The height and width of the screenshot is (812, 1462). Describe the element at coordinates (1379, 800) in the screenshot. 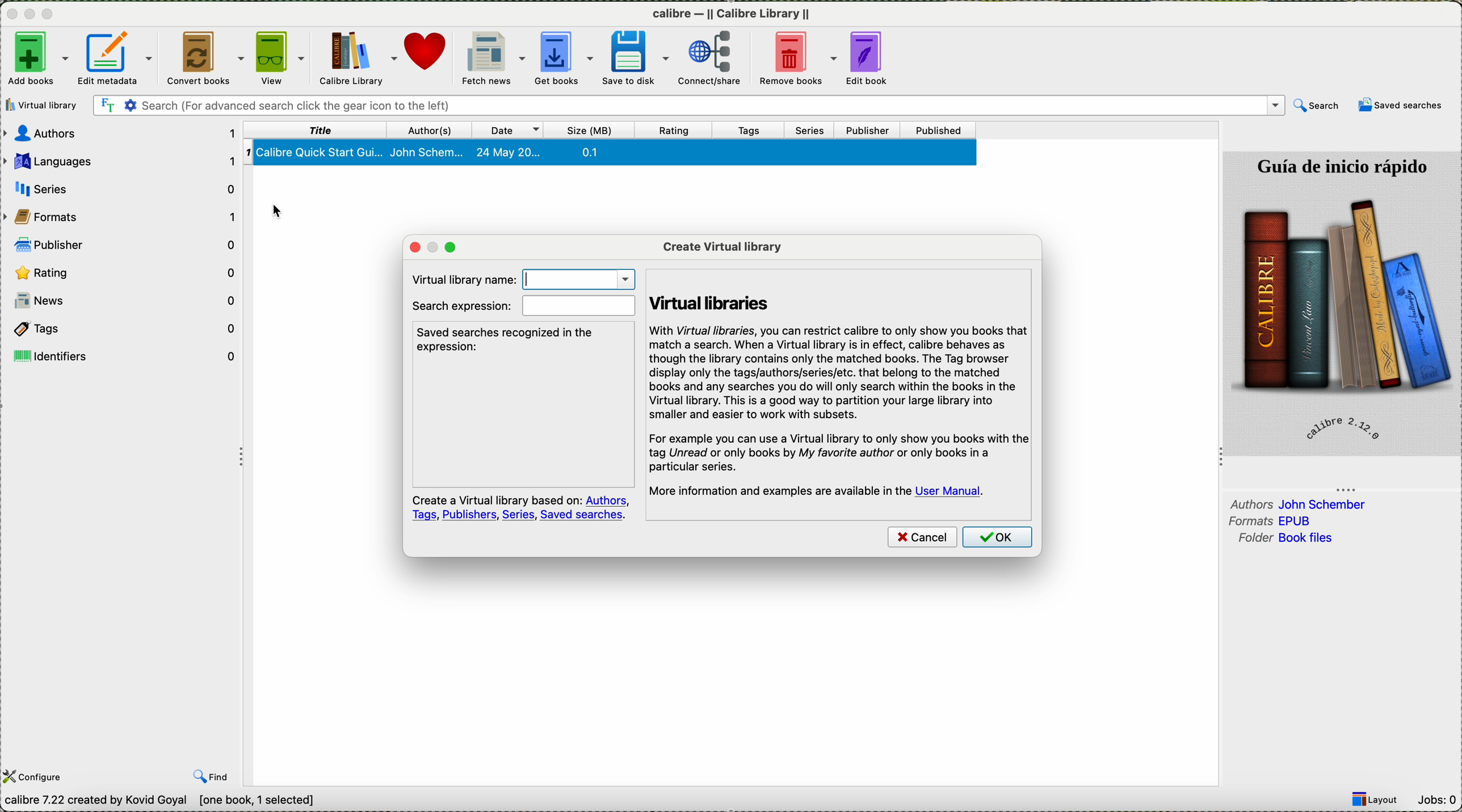

I see `layout` at that location.